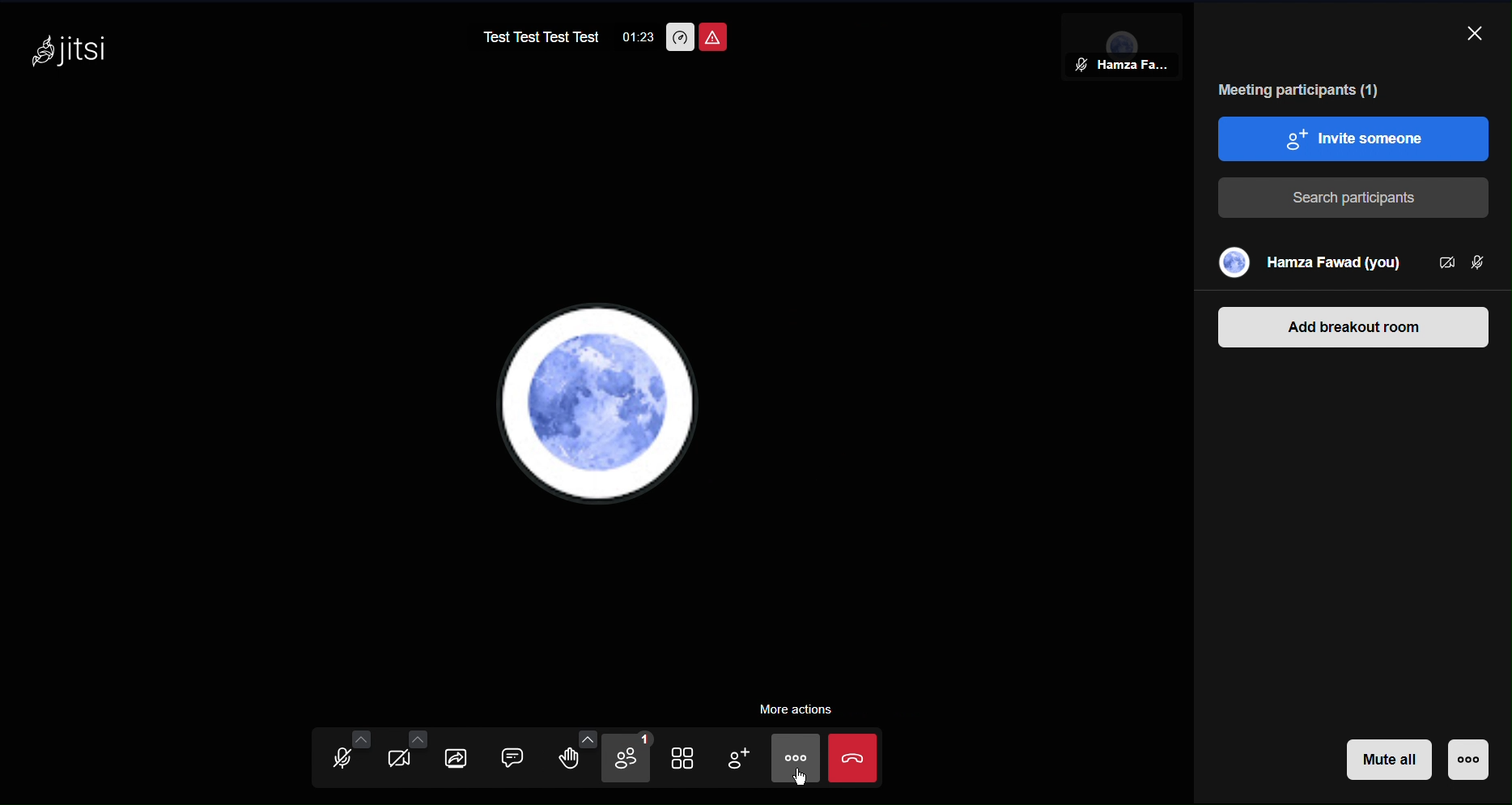 Image resolution: width=1512 pixels, height=805 pixels. What do you see at coordinates (796, 761) in the screenshot?
I see `More` at bounding box center [796, 761].